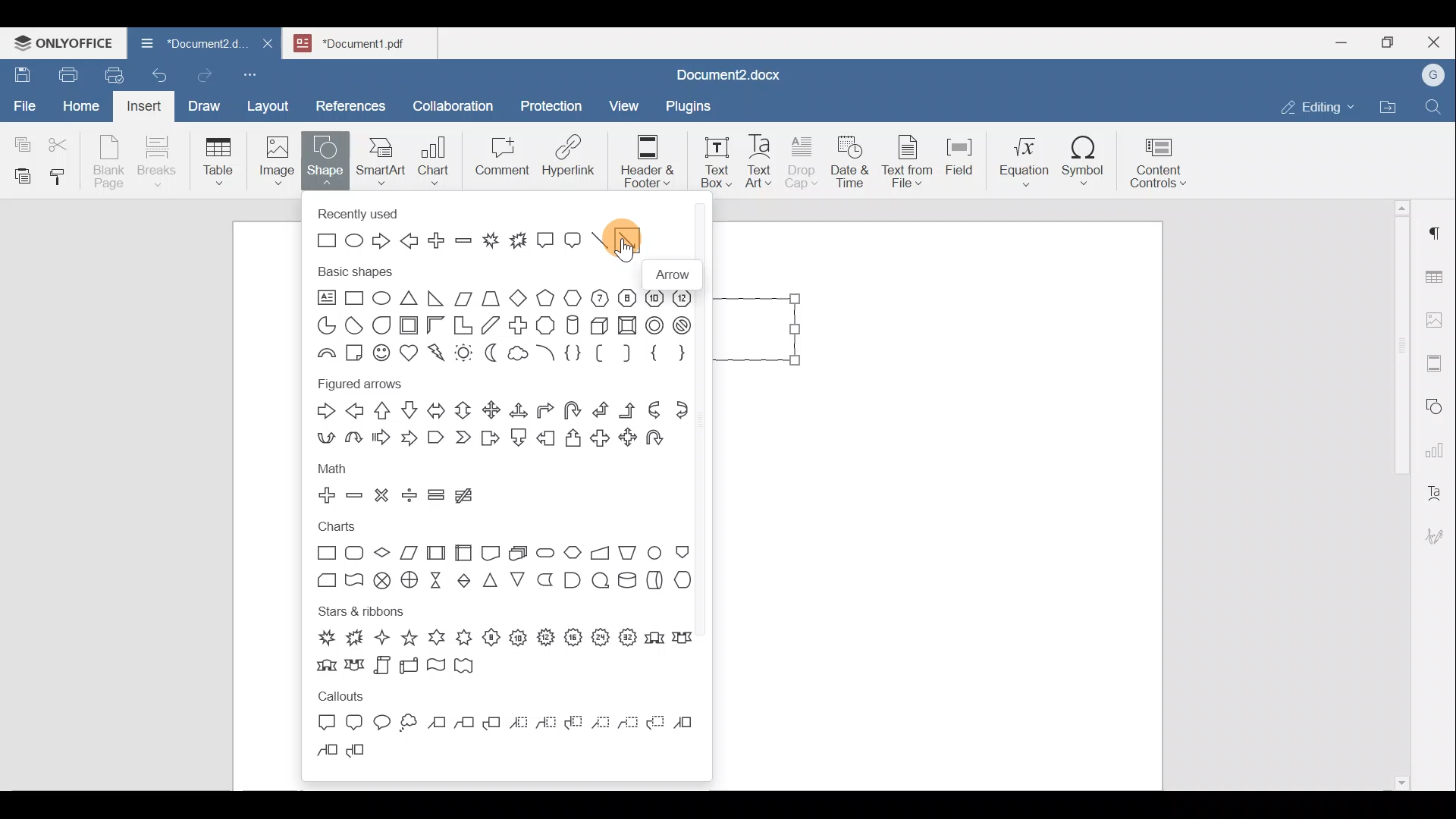  Describe the element at coordinates (110, 73) in the screenshot. I see `Quick print` at that location.